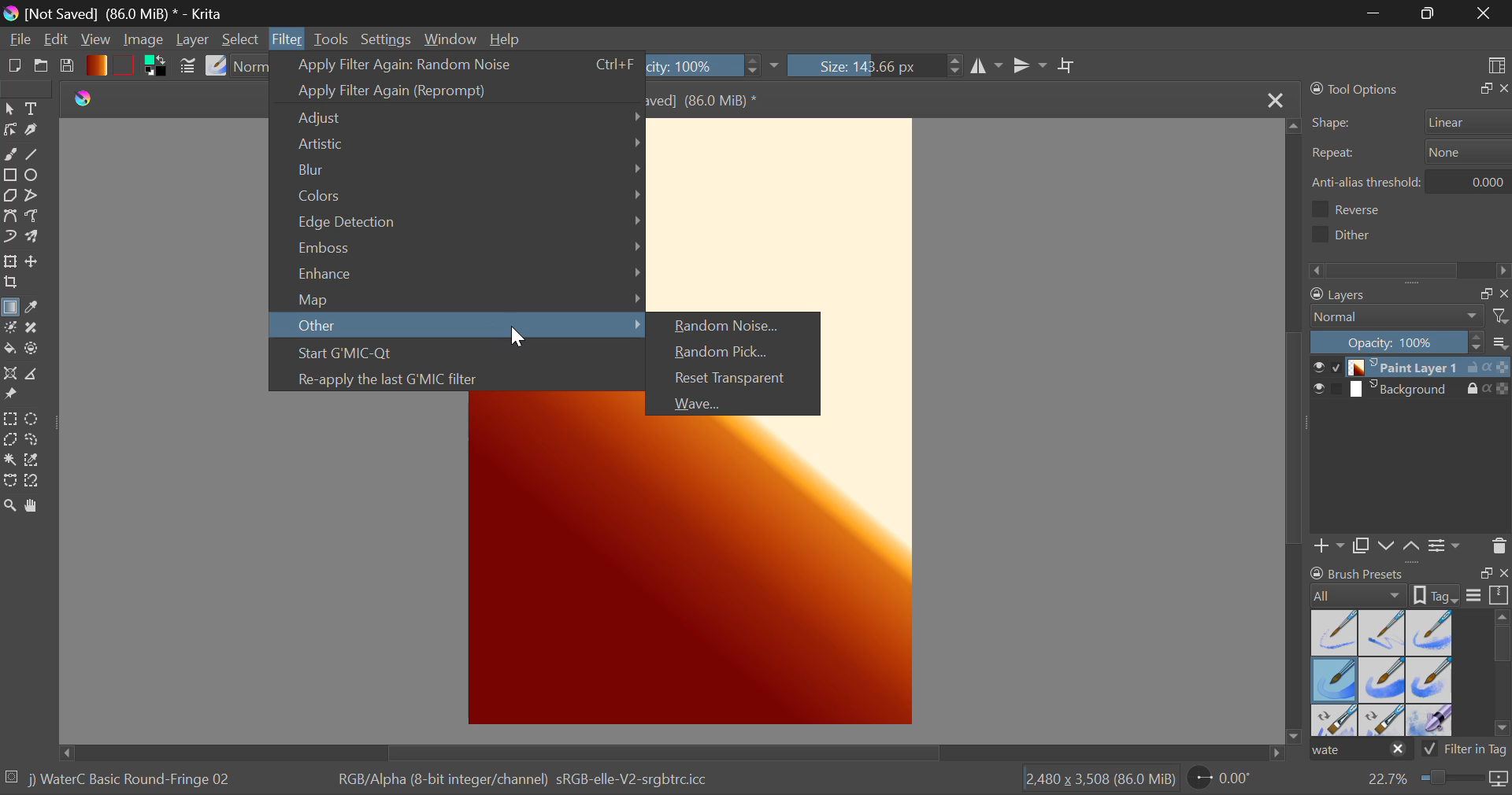 This screenshot has height=795, width=1512. What do you see at coordinates (240, 38) in the screenshot?
I see `Select` at bounding box center [240, 38].